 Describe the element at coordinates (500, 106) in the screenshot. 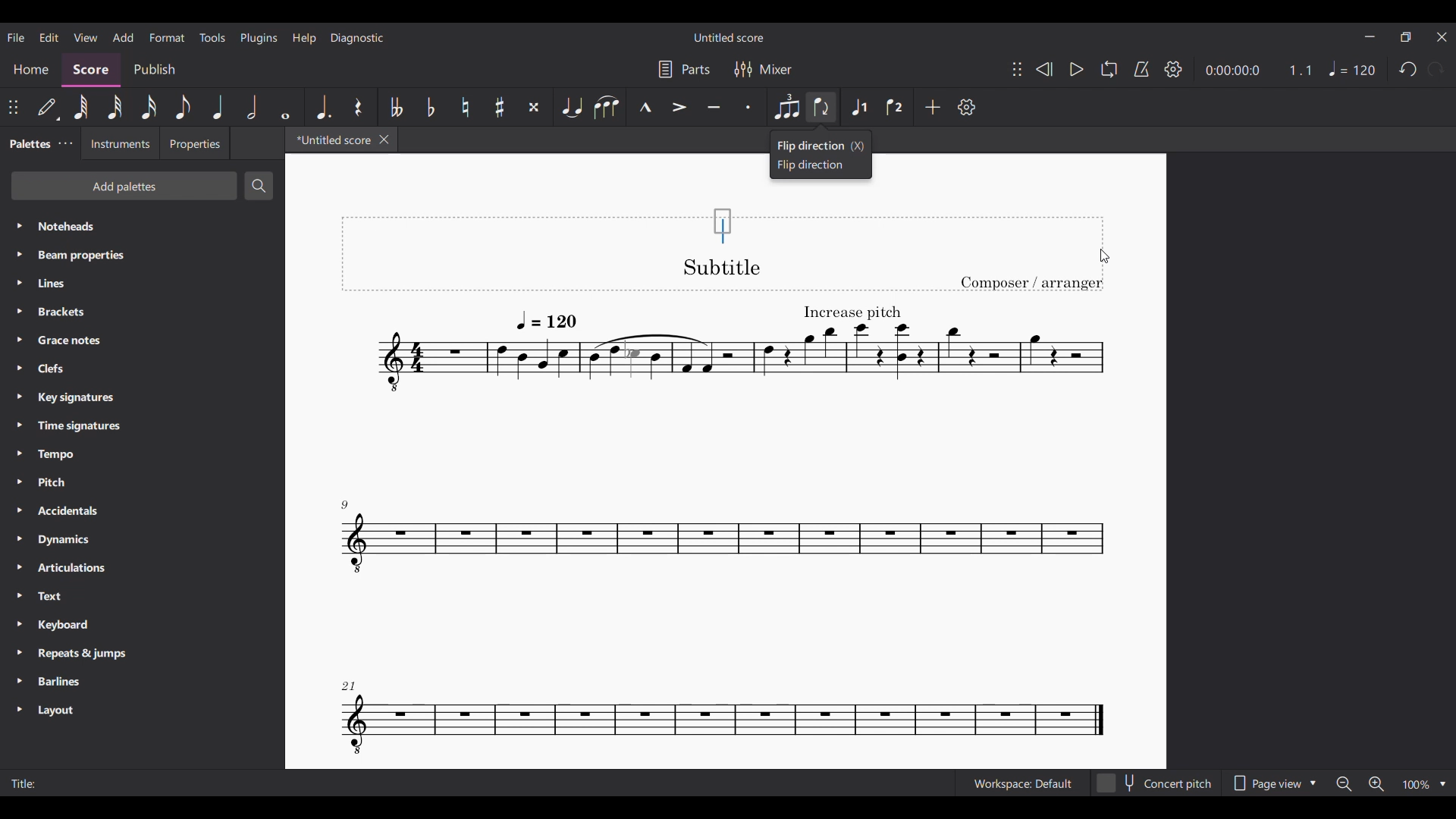

I see `Toggle sharp` at that location.